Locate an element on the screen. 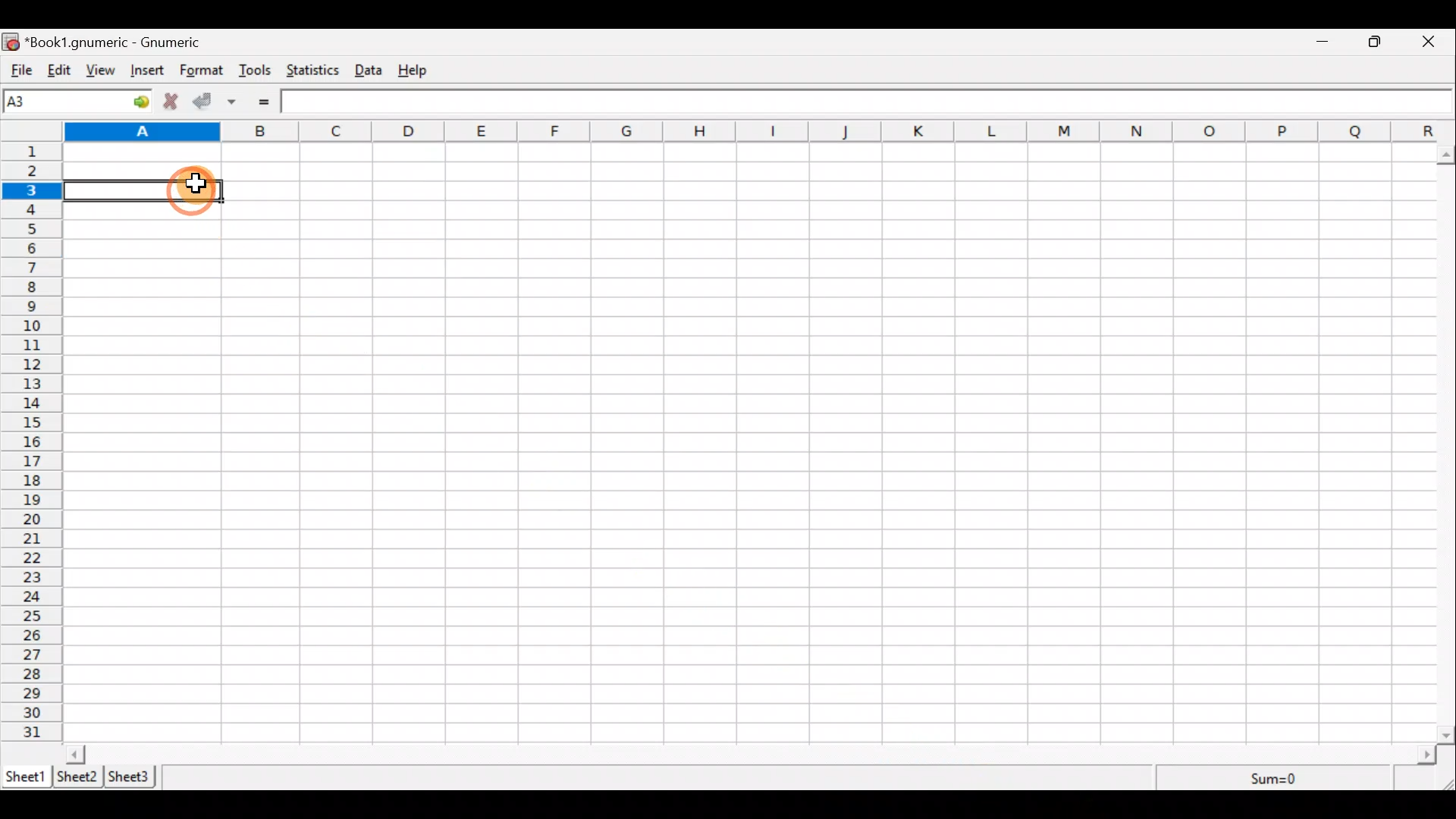  File is located at coordinates (19, 71).